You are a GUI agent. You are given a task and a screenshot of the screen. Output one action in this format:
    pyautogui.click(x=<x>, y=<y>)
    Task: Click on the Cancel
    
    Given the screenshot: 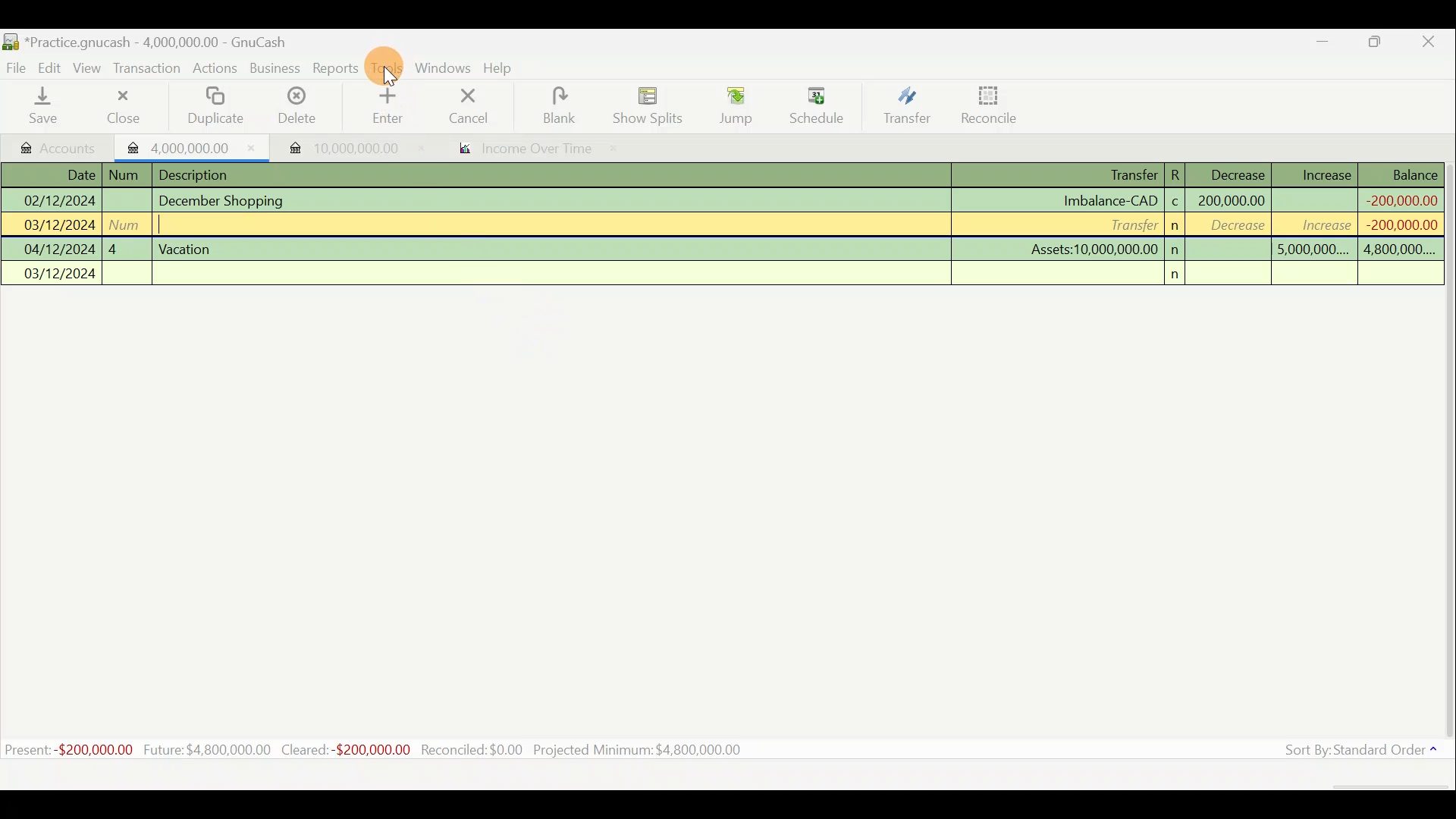 What is the action you would take?
    pyautogui.click(x=465, y=108)
    